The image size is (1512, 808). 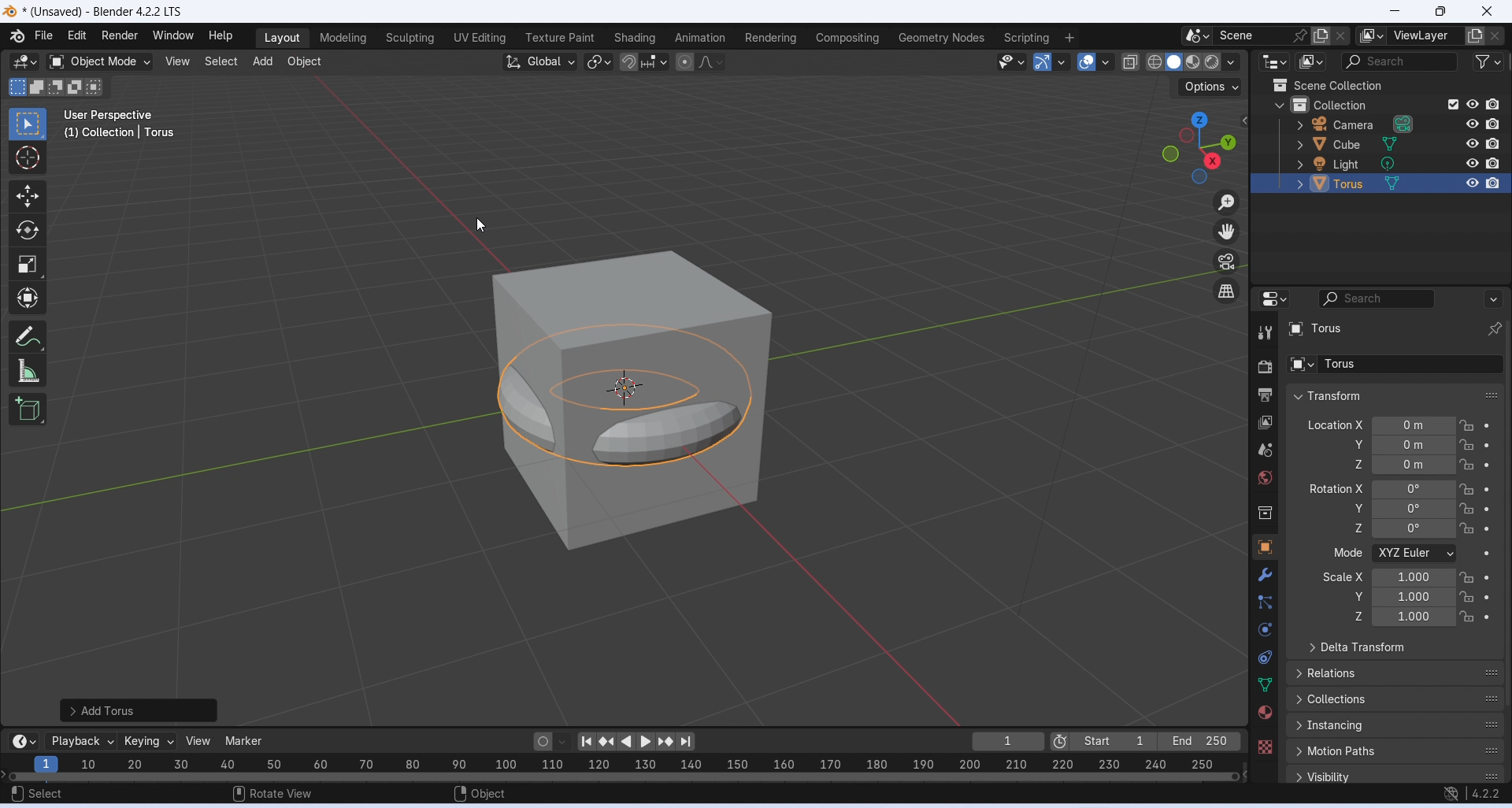 What do you see at coordinates (1094, 62) in the screenshot?
I see `Show overlays` at bounding box center [1094, 62].